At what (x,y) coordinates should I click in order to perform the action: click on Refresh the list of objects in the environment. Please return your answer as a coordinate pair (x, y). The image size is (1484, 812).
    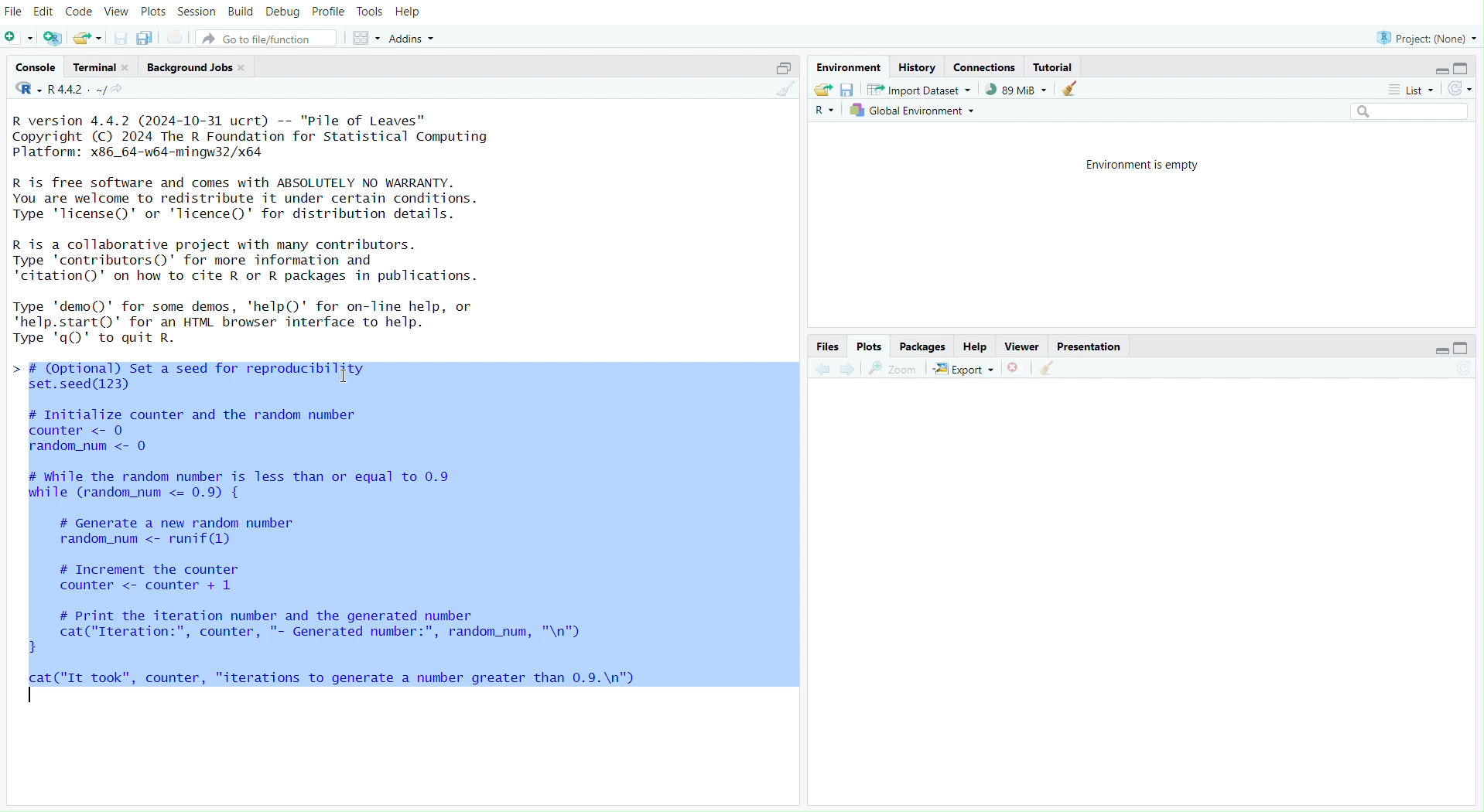
    Looking at the image, I should click on (1459, 87).